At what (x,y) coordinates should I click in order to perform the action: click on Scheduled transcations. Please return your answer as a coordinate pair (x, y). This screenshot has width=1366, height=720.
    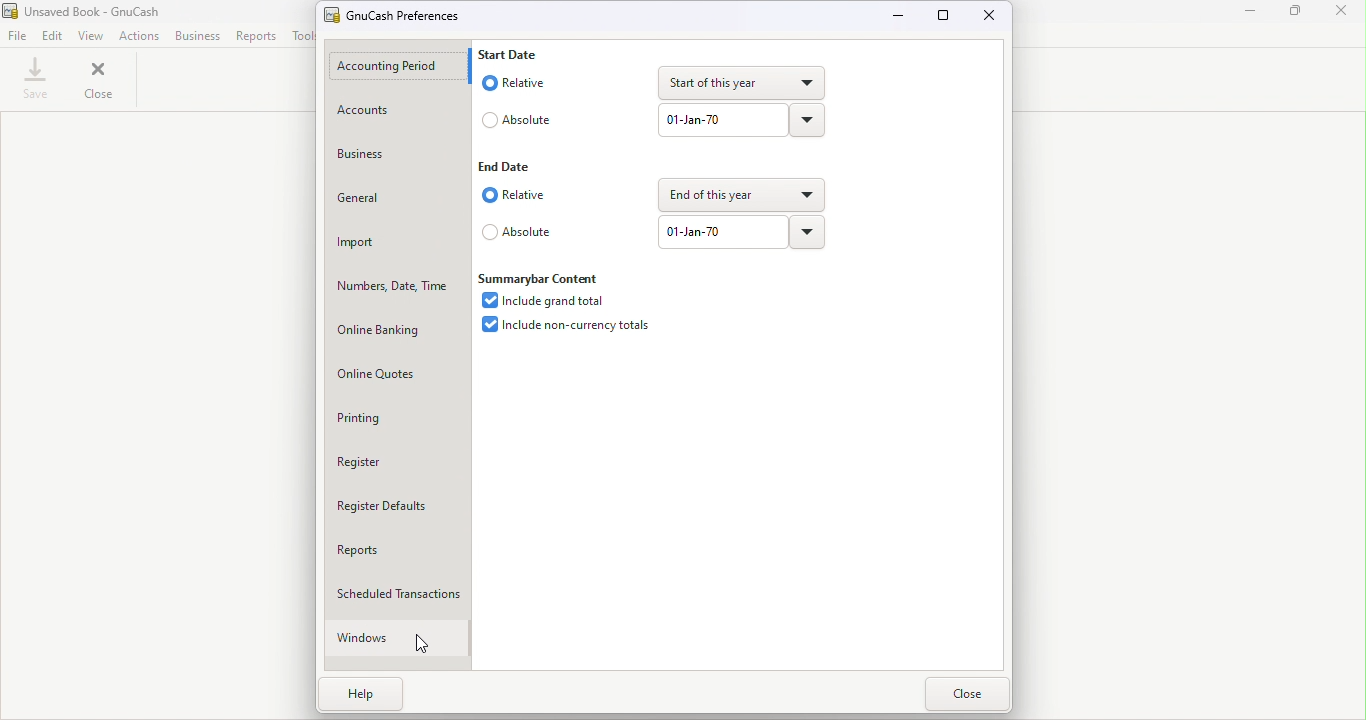
    Looking at the image, I should click on (402, 589).